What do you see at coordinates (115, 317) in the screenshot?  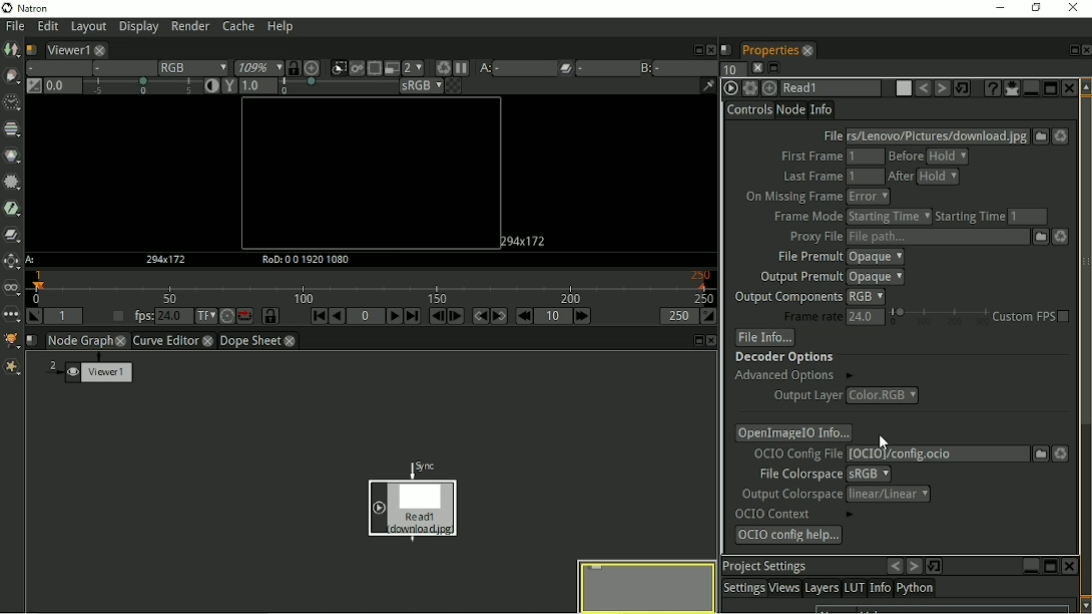 I see `Set playback frame` at bounding box center [115, 317].